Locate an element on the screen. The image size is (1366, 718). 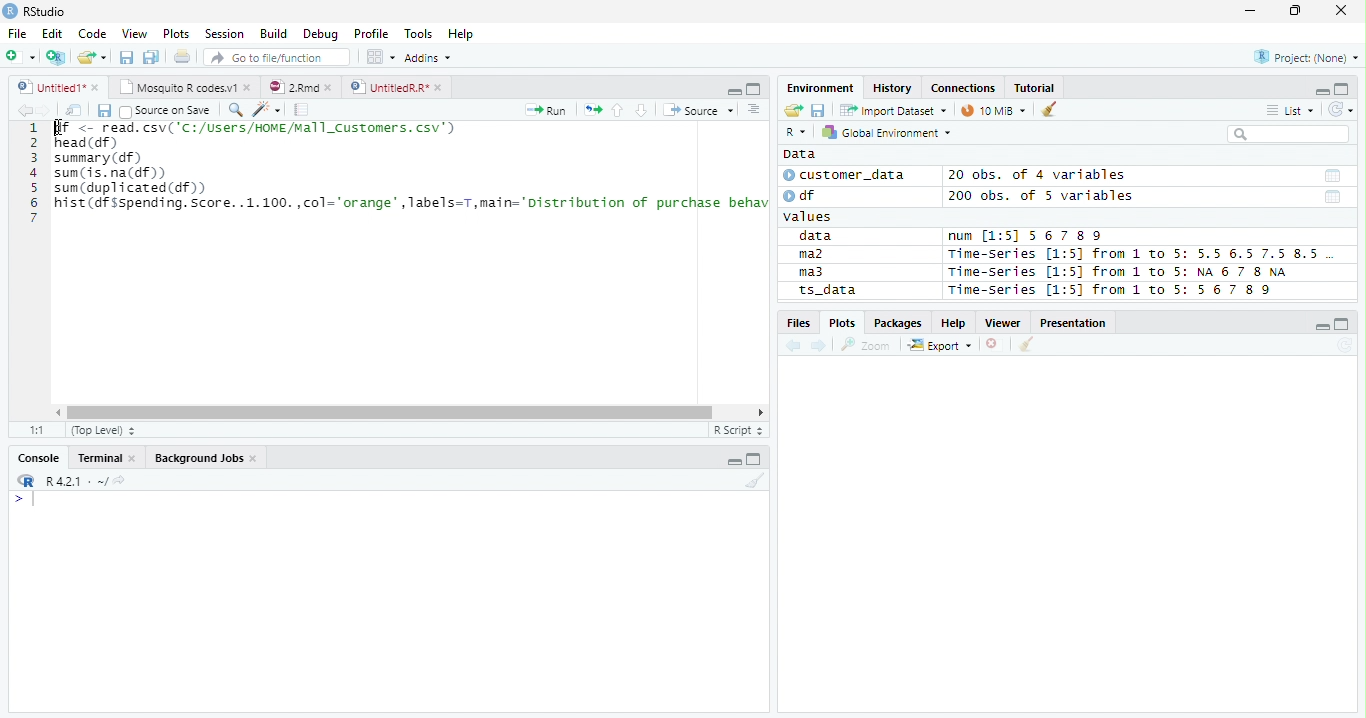
df is located at coordinates (806, 195).